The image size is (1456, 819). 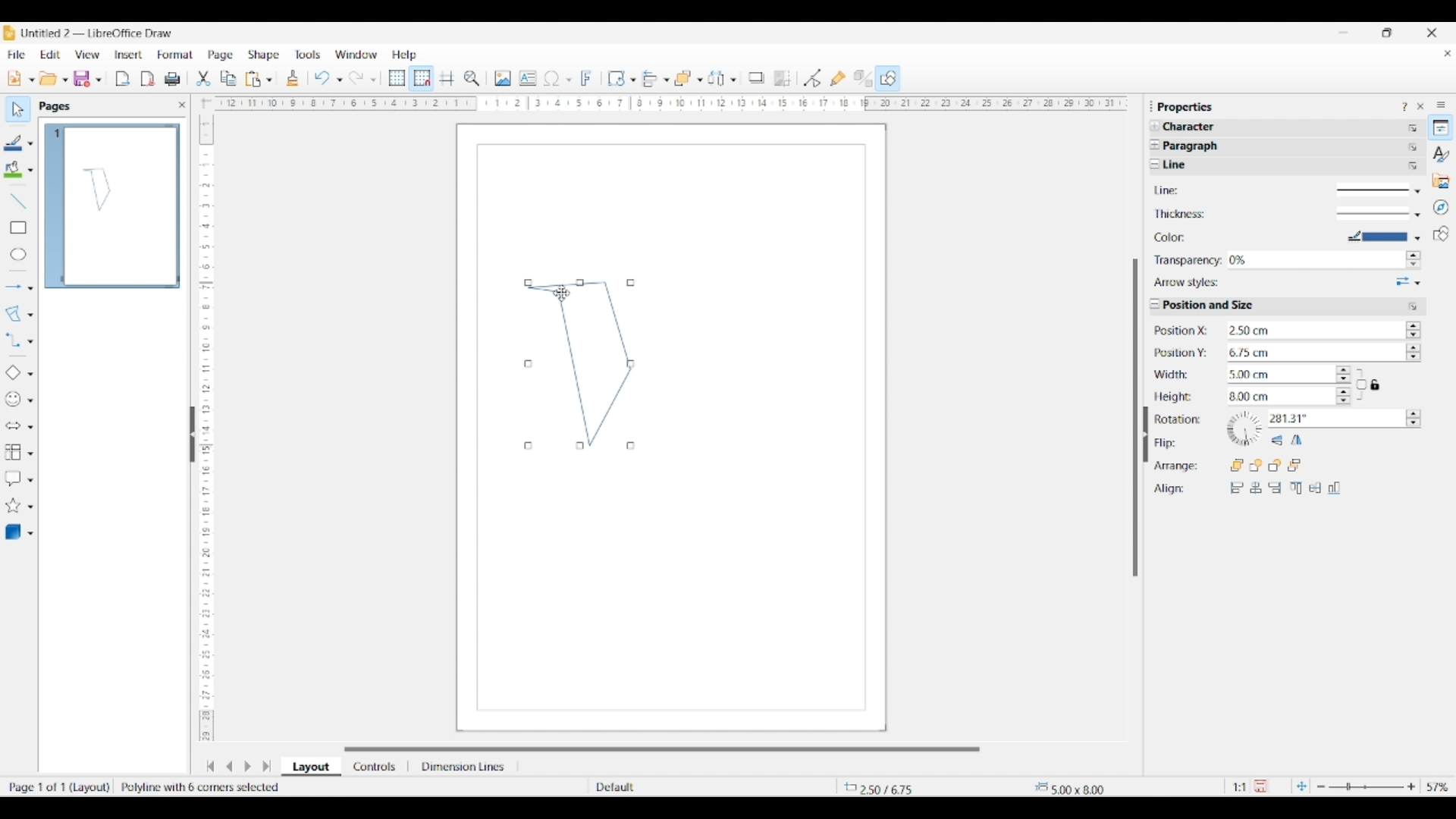 What do you see at coordinates (253, 79) in the screenshot?
I see `Selected paste options` at bounding box center [253, 79].